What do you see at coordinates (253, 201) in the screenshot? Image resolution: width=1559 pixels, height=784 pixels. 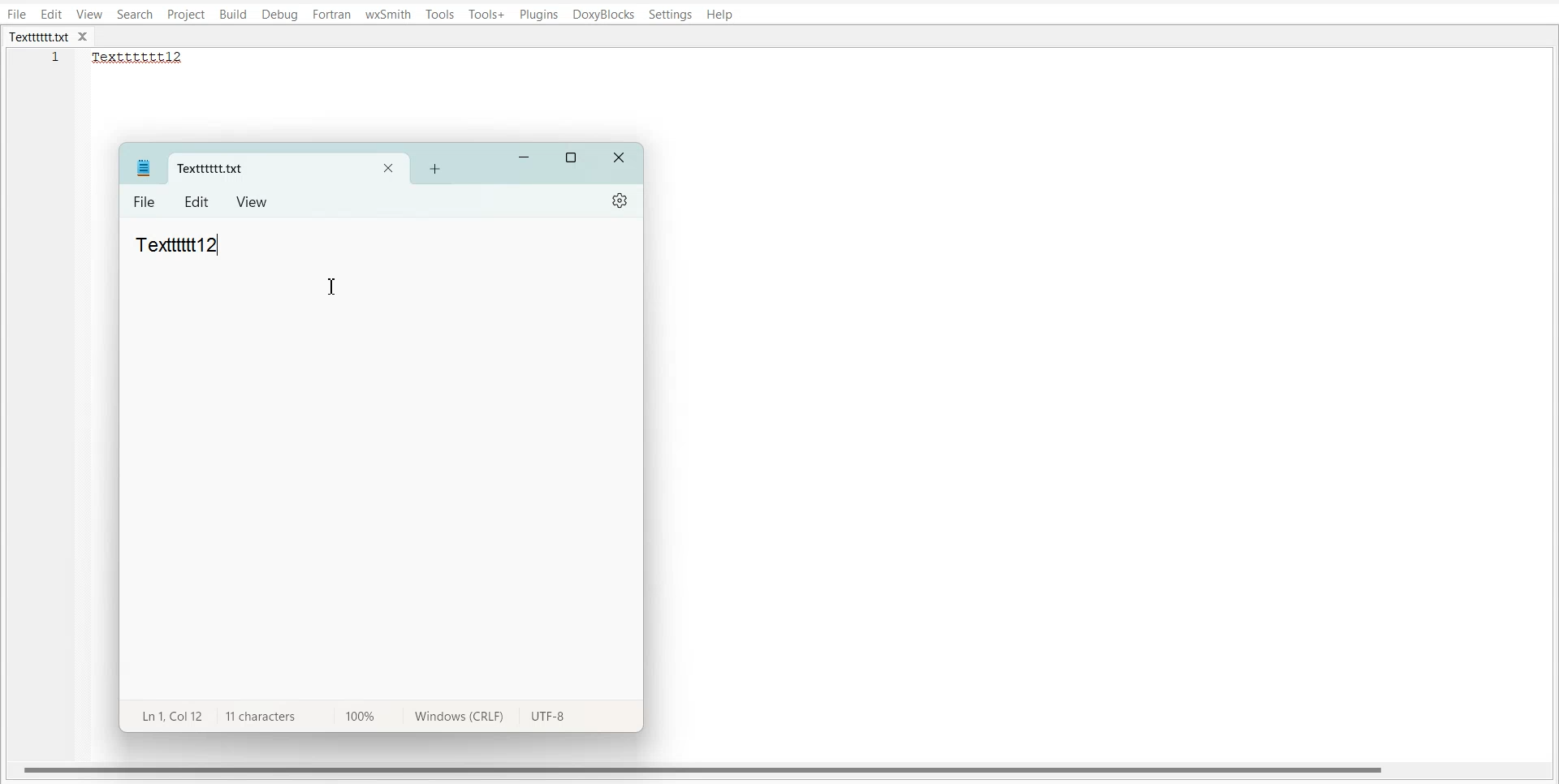 I see `View` at bounding box center [253, 201].